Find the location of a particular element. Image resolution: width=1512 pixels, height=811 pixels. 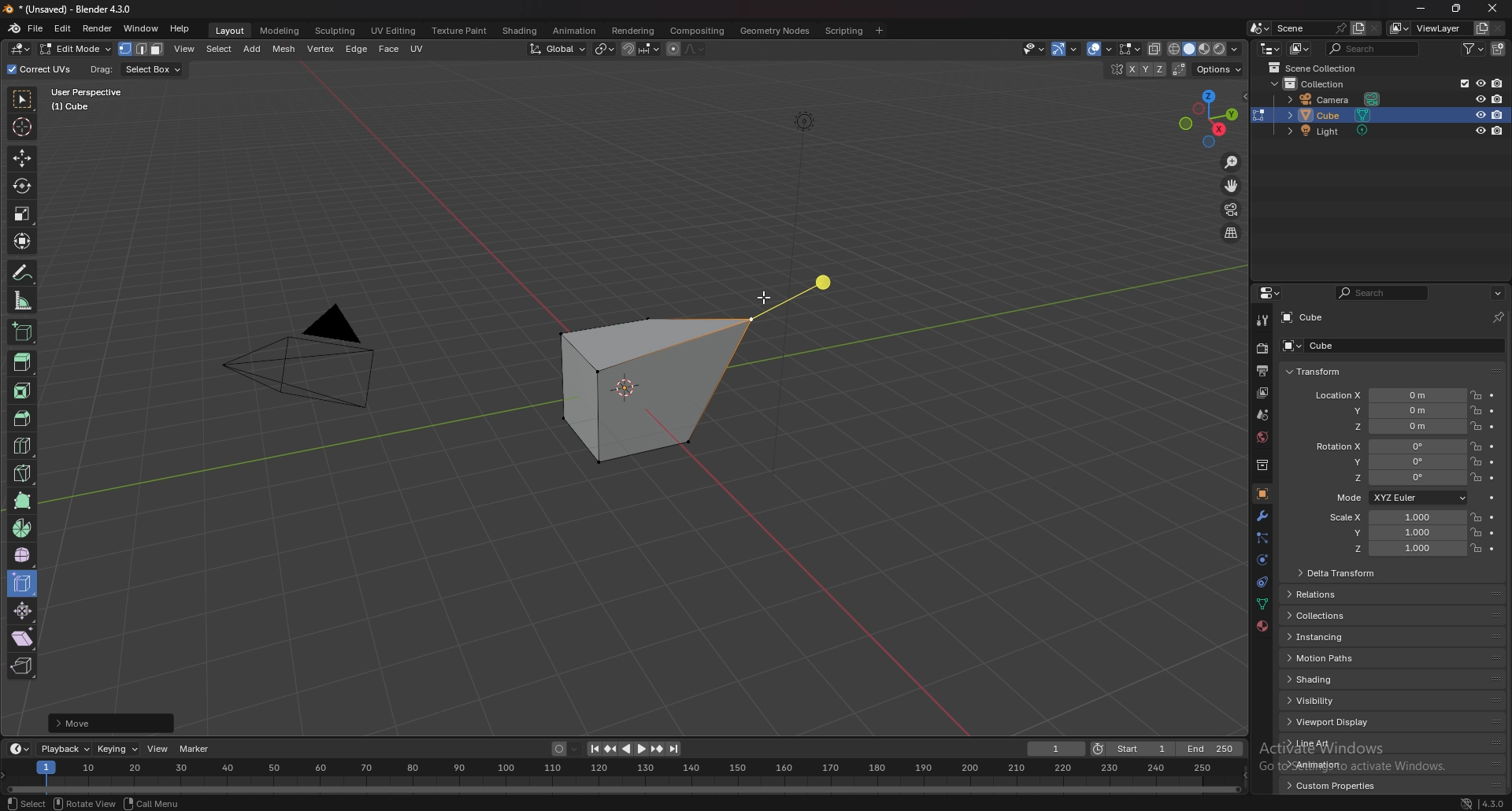

viewport shading is located at coordinates (1205, 50).